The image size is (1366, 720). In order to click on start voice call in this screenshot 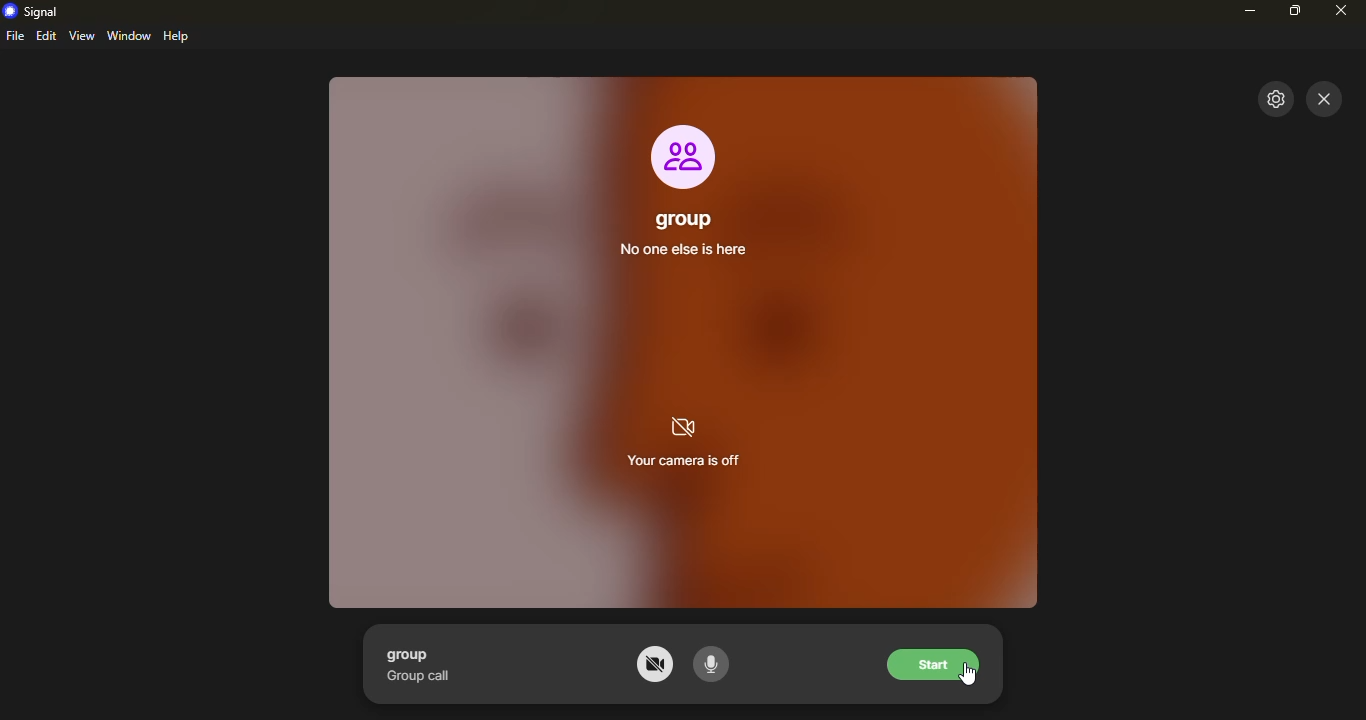, I will do `click(937, 663)`.